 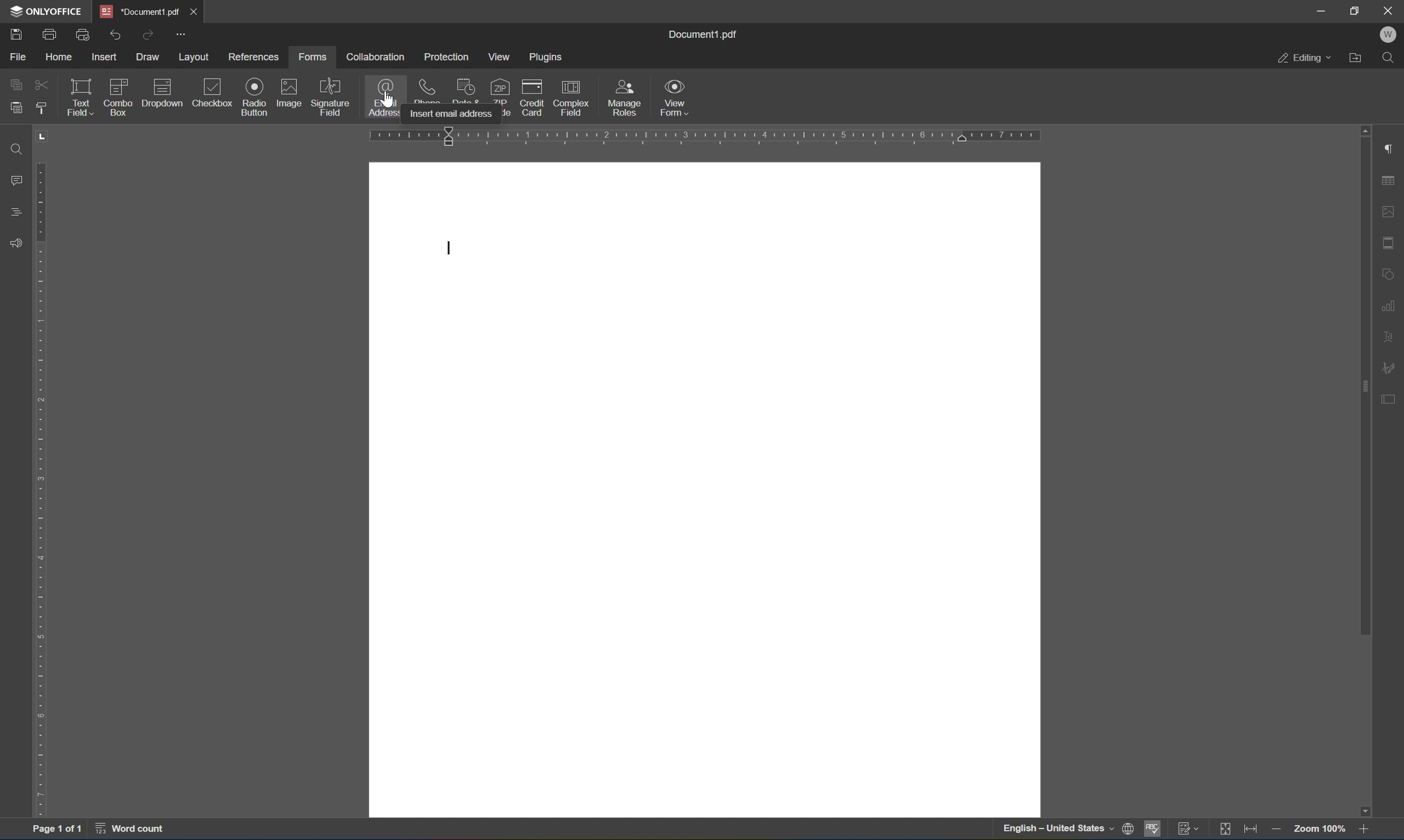 I want to click on manage roles, so click(x=625, y=95).